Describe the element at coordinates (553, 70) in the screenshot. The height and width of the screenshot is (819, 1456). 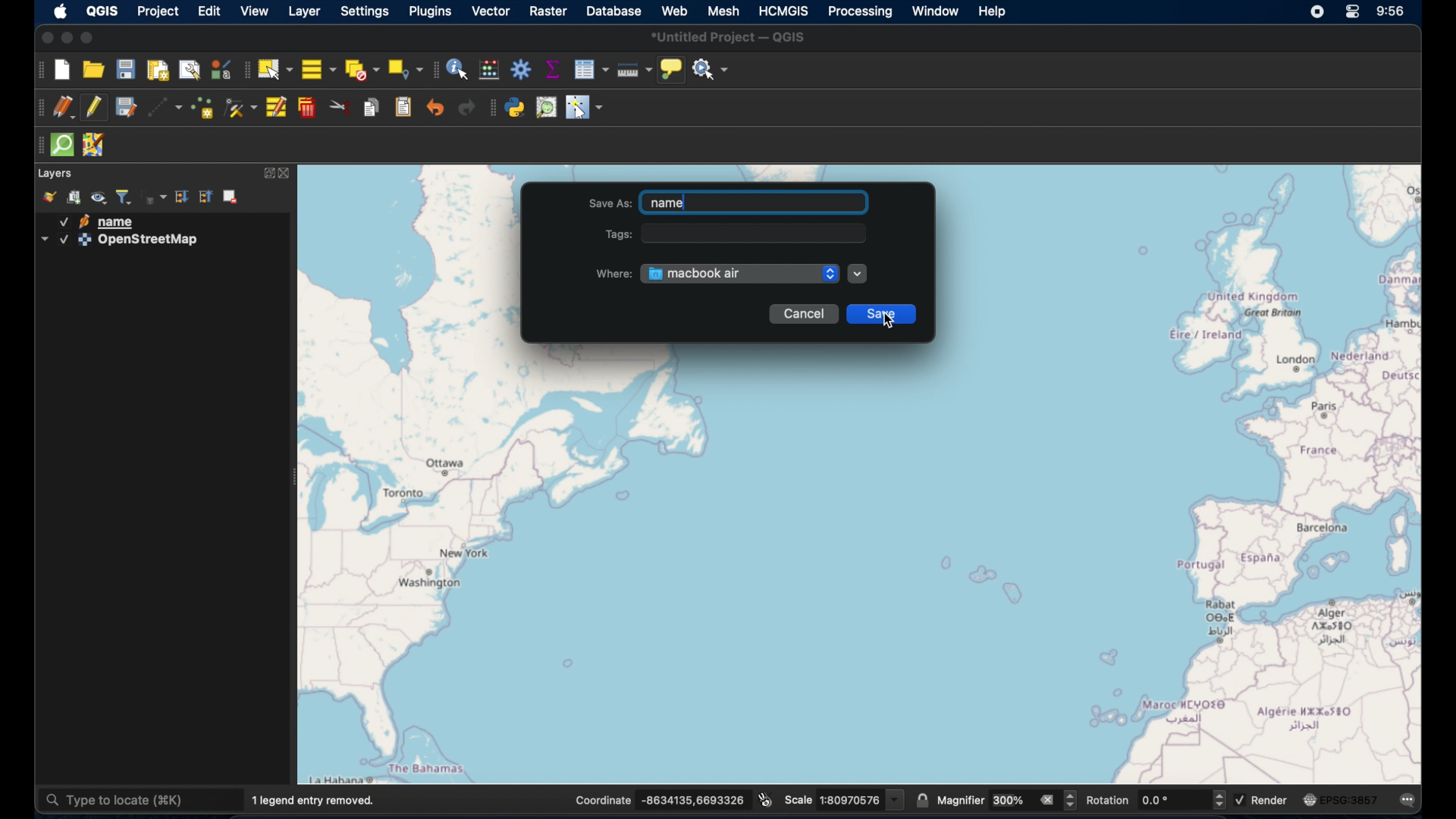
I see `show statistical summary` at that location.